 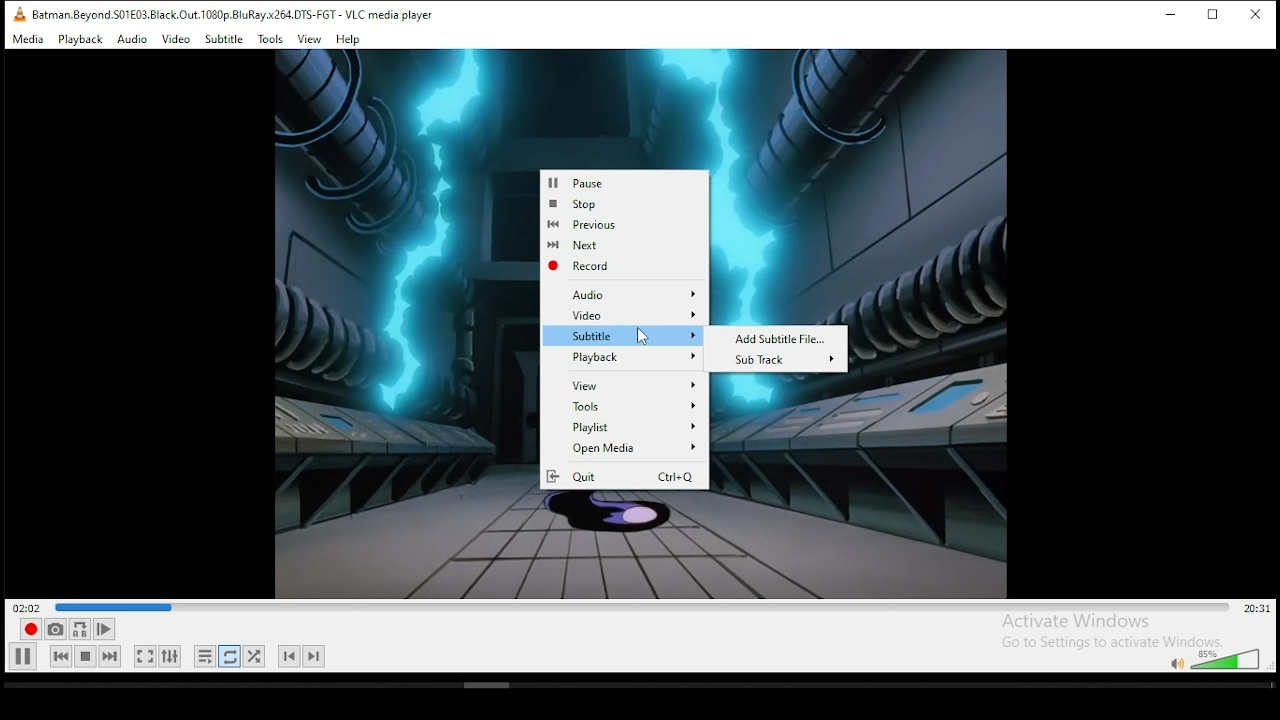 What do you see at coordinates (289, 656) in the screenshot?
I see `previous chapter` at bounding box center [289, 656].